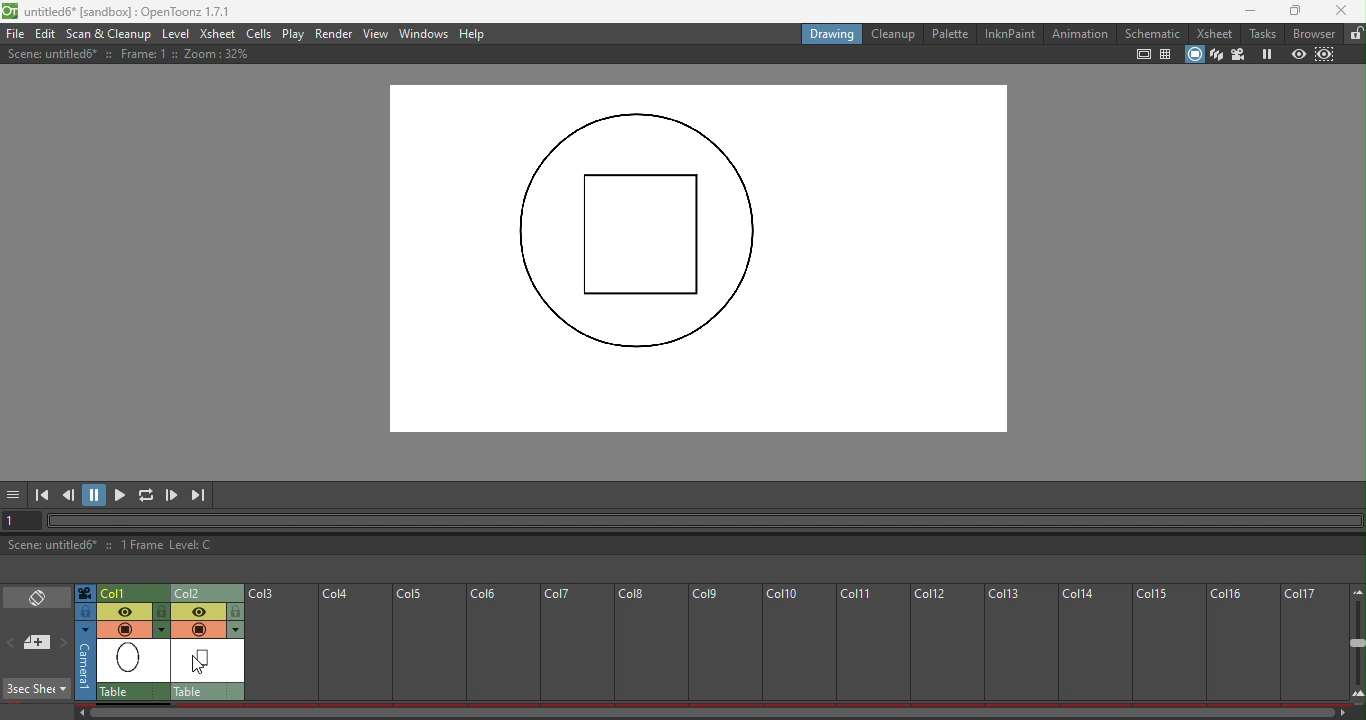  What do you see at coordinates (164, 630) in the screenshot?
I see `Additional column settings` at bounding box center [164, 630].